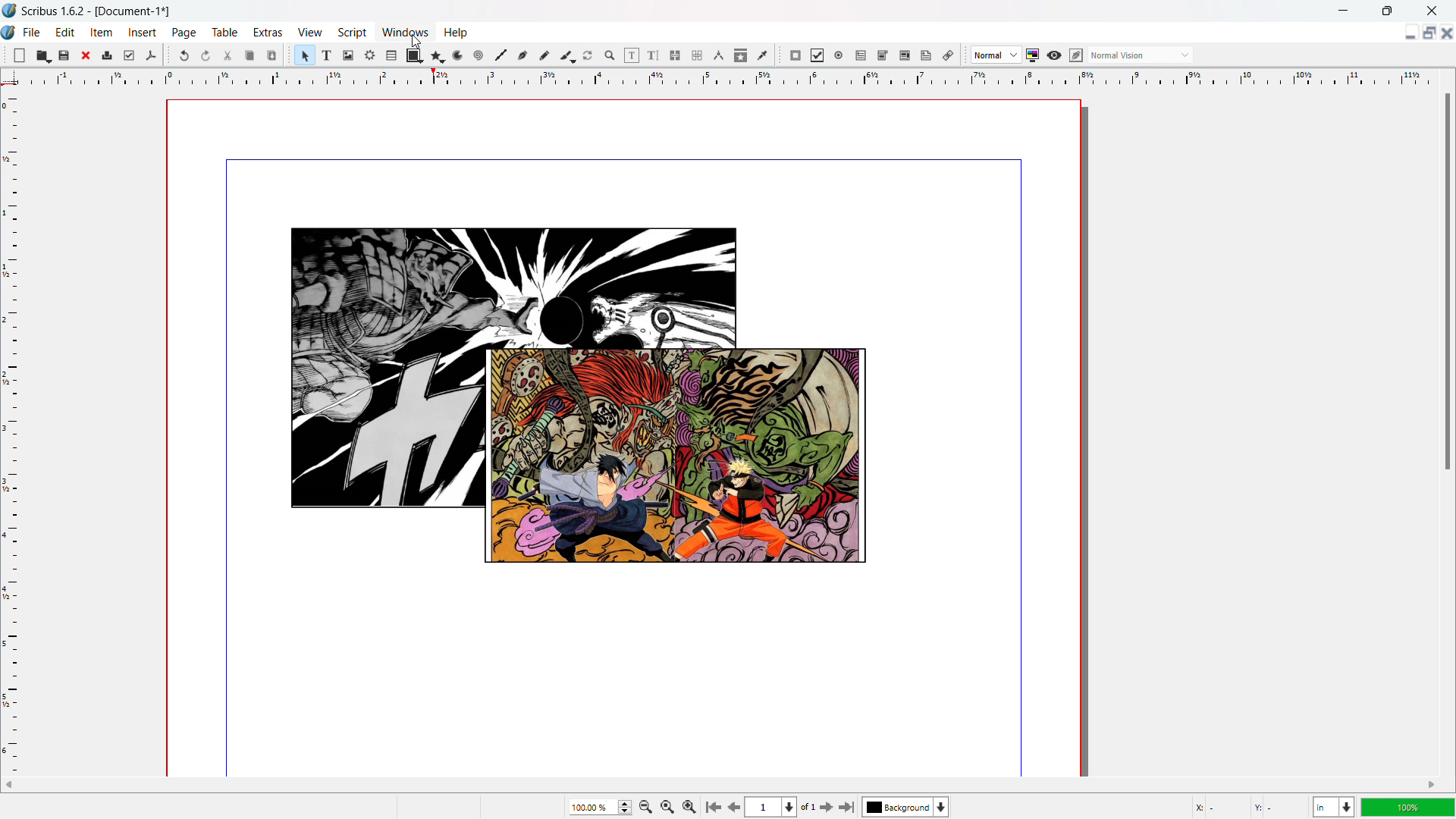 The width and height of the screenshot is (1456, 819). What do you see at coordinates (719, 55) in the screenshot?
I see `measurements` at bounding box center [719, 55].